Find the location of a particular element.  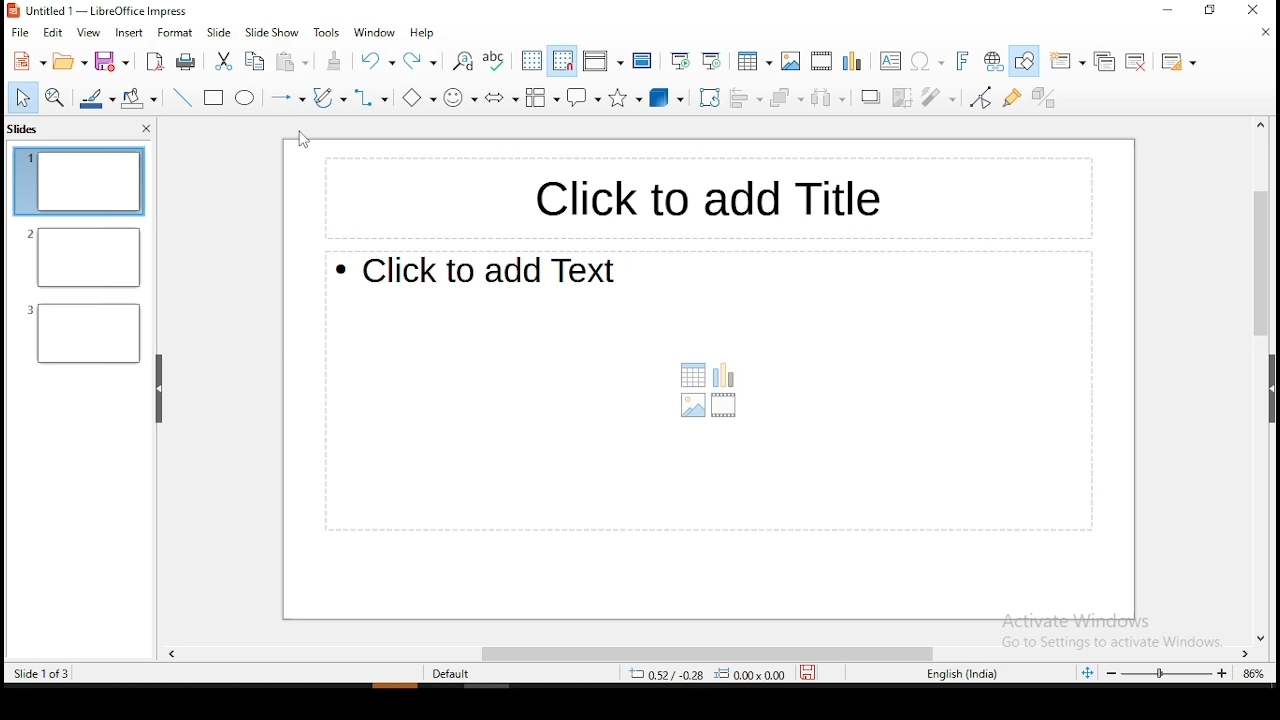

insert special characters is located at coordinates (926, 59).